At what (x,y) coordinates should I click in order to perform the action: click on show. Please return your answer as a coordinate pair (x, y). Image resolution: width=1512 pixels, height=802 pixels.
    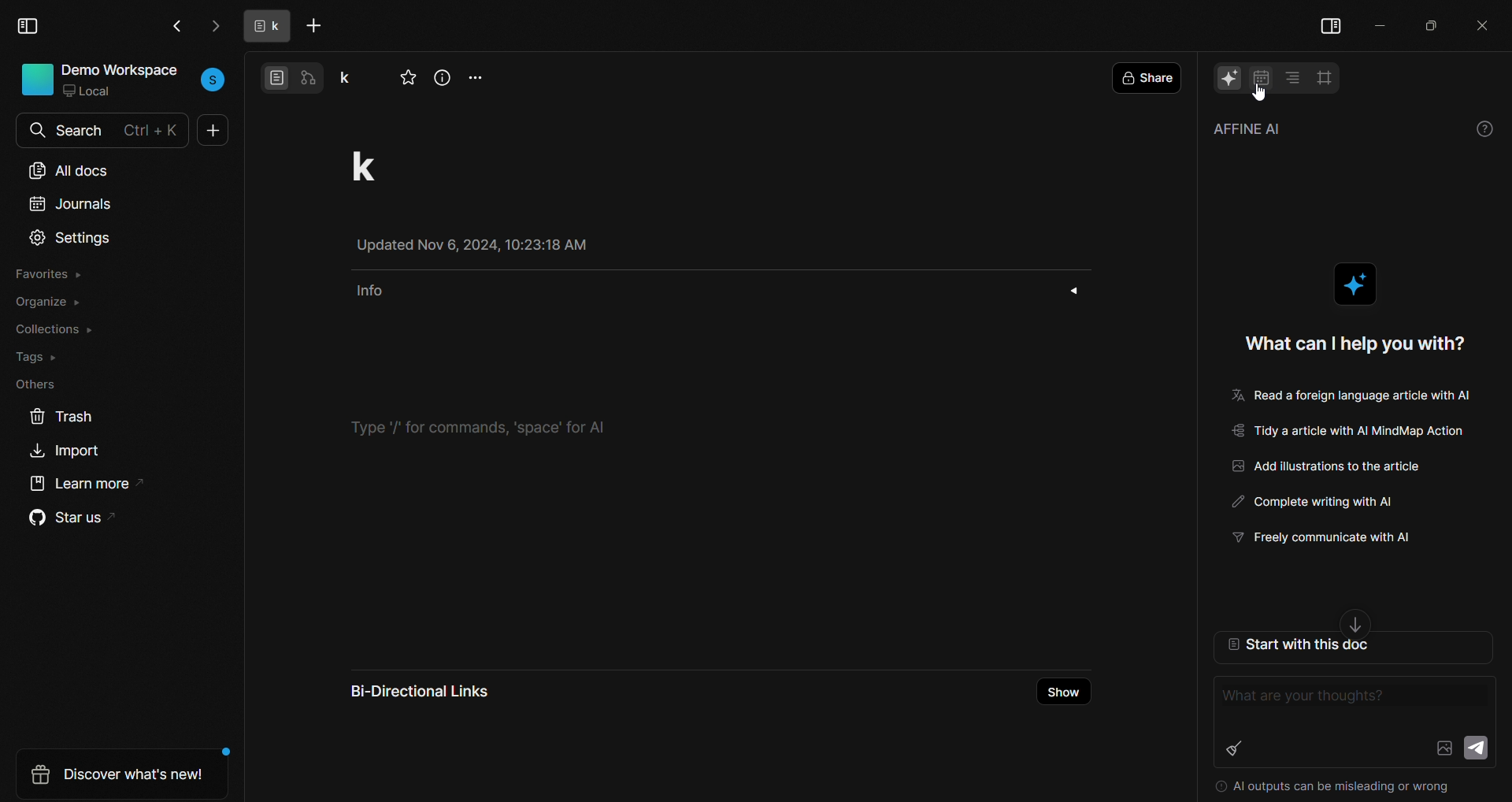
    Looking at the image, I should click on (1065, 692).